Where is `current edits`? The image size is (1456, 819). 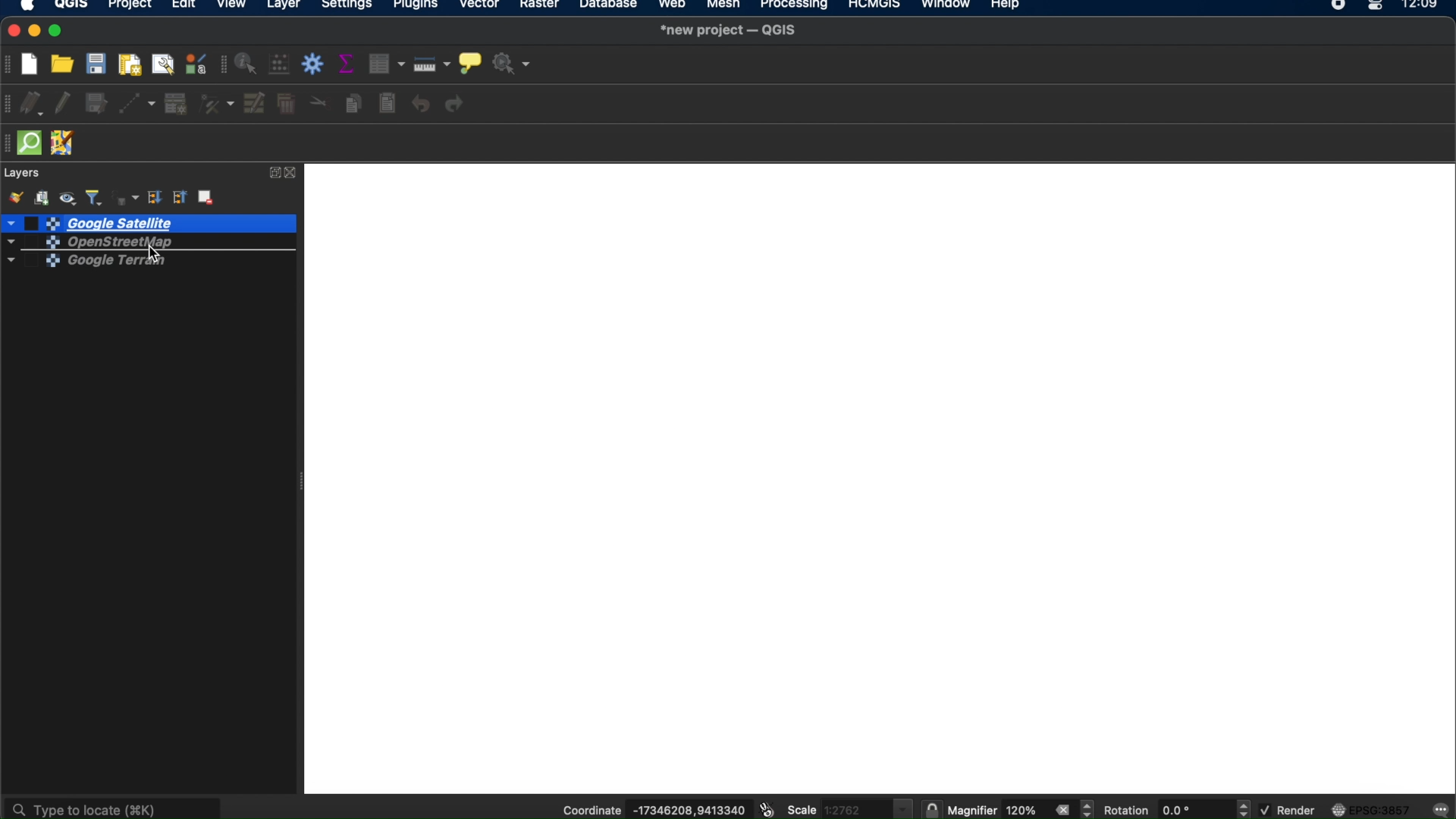
current edits is located at coordinates (36, 105).